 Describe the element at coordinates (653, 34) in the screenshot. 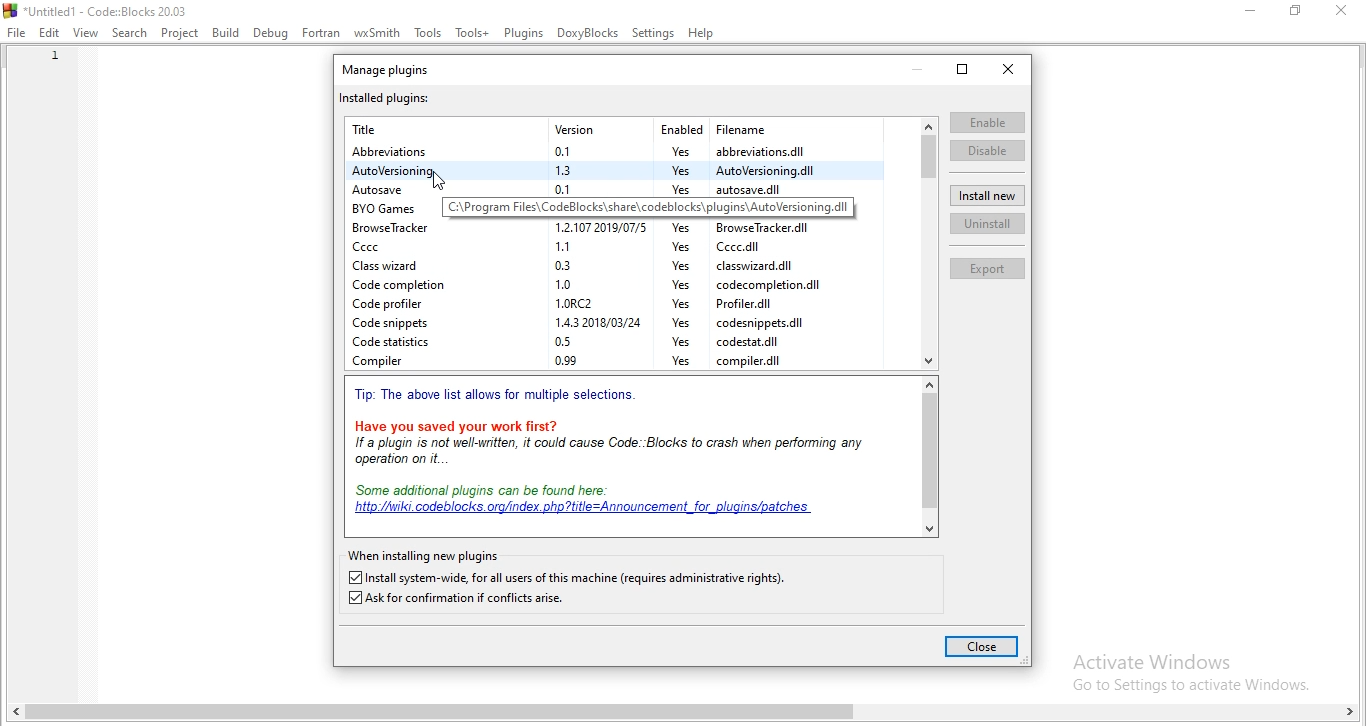

I see `Settings` at that location.